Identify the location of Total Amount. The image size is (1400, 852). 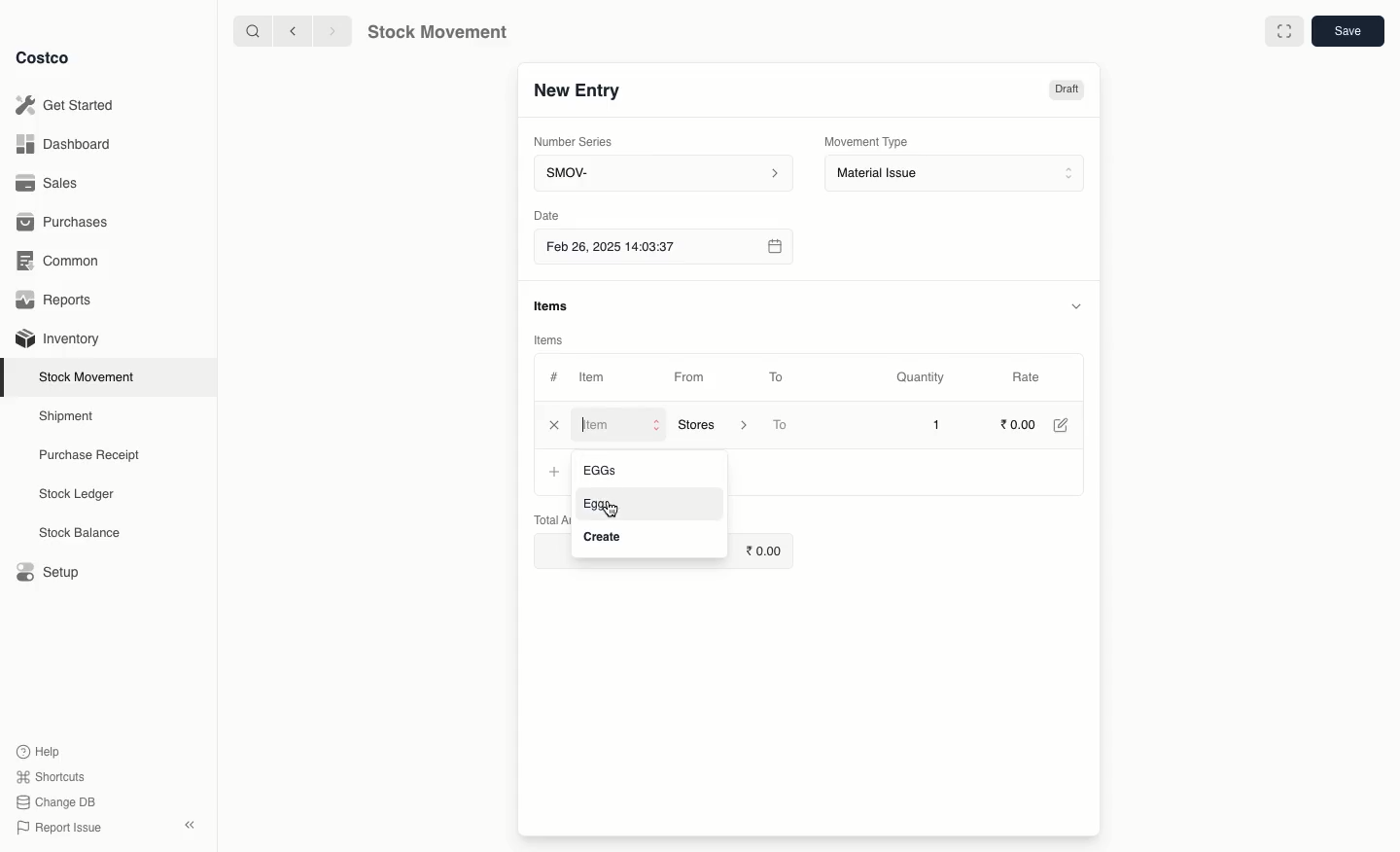
(546, 518).